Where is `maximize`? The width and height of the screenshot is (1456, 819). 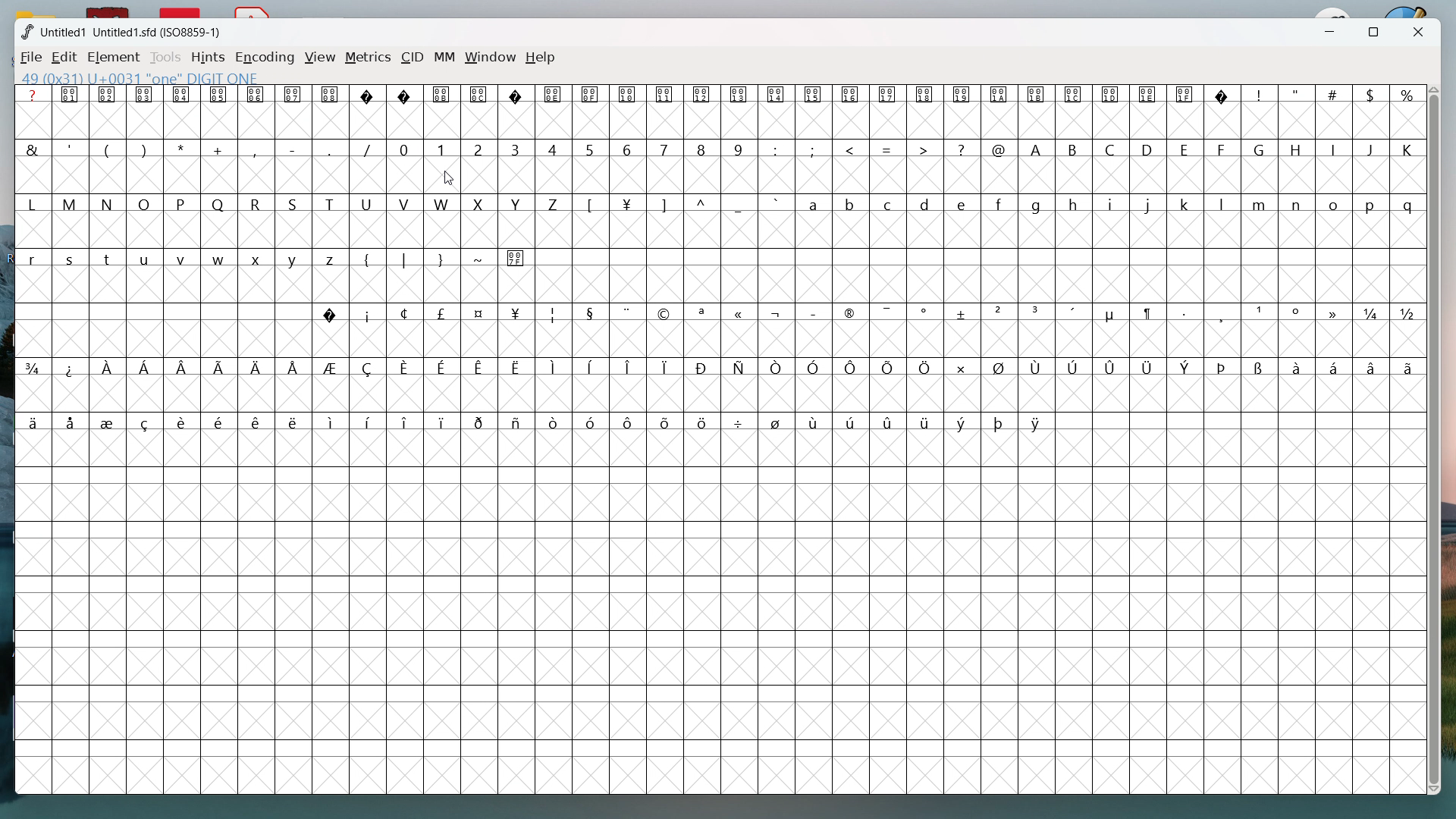 maximize is located at coordinates (1371, 33).